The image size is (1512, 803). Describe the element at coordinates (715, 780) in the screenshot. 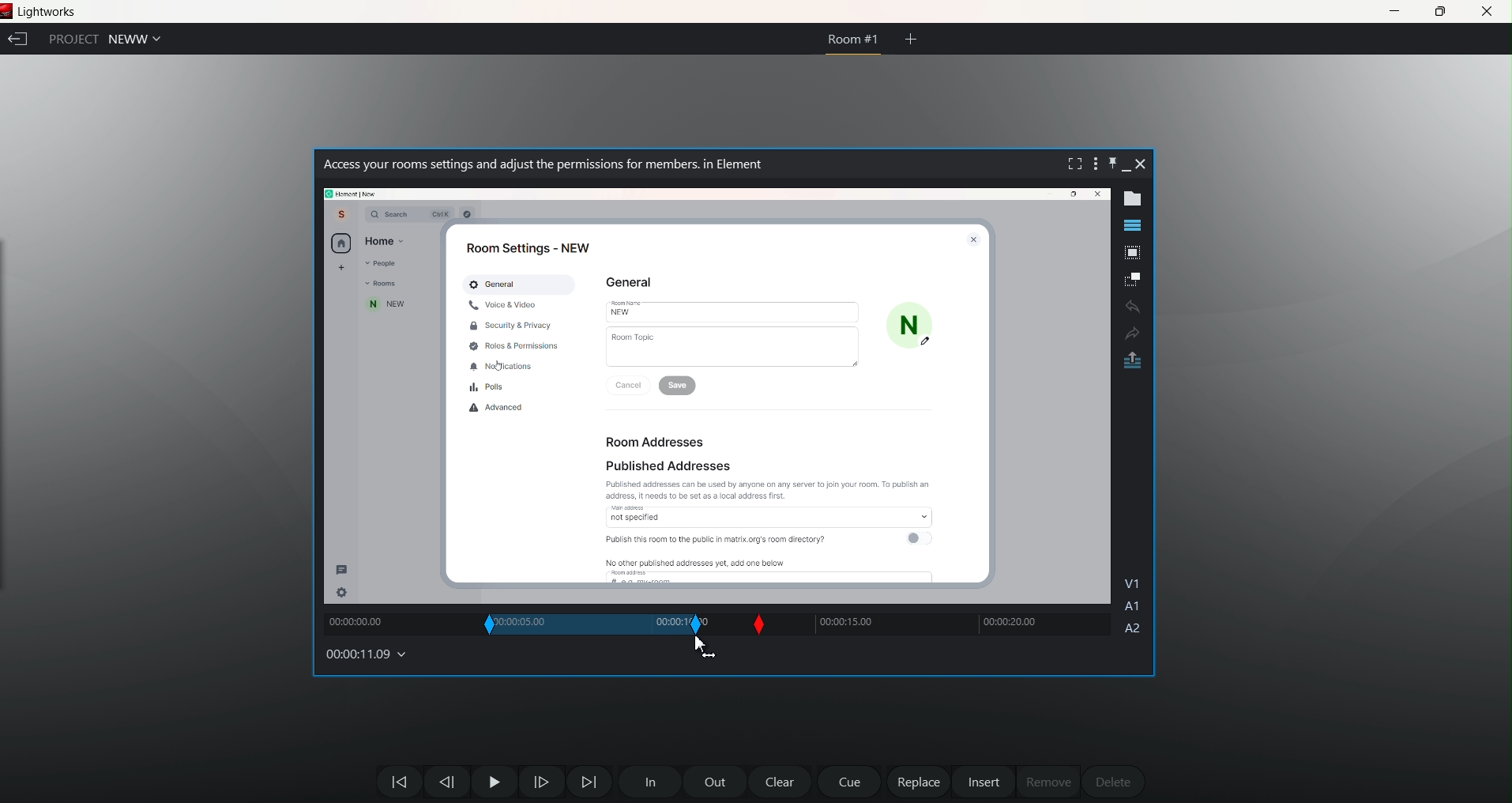

I see `out` at that location.